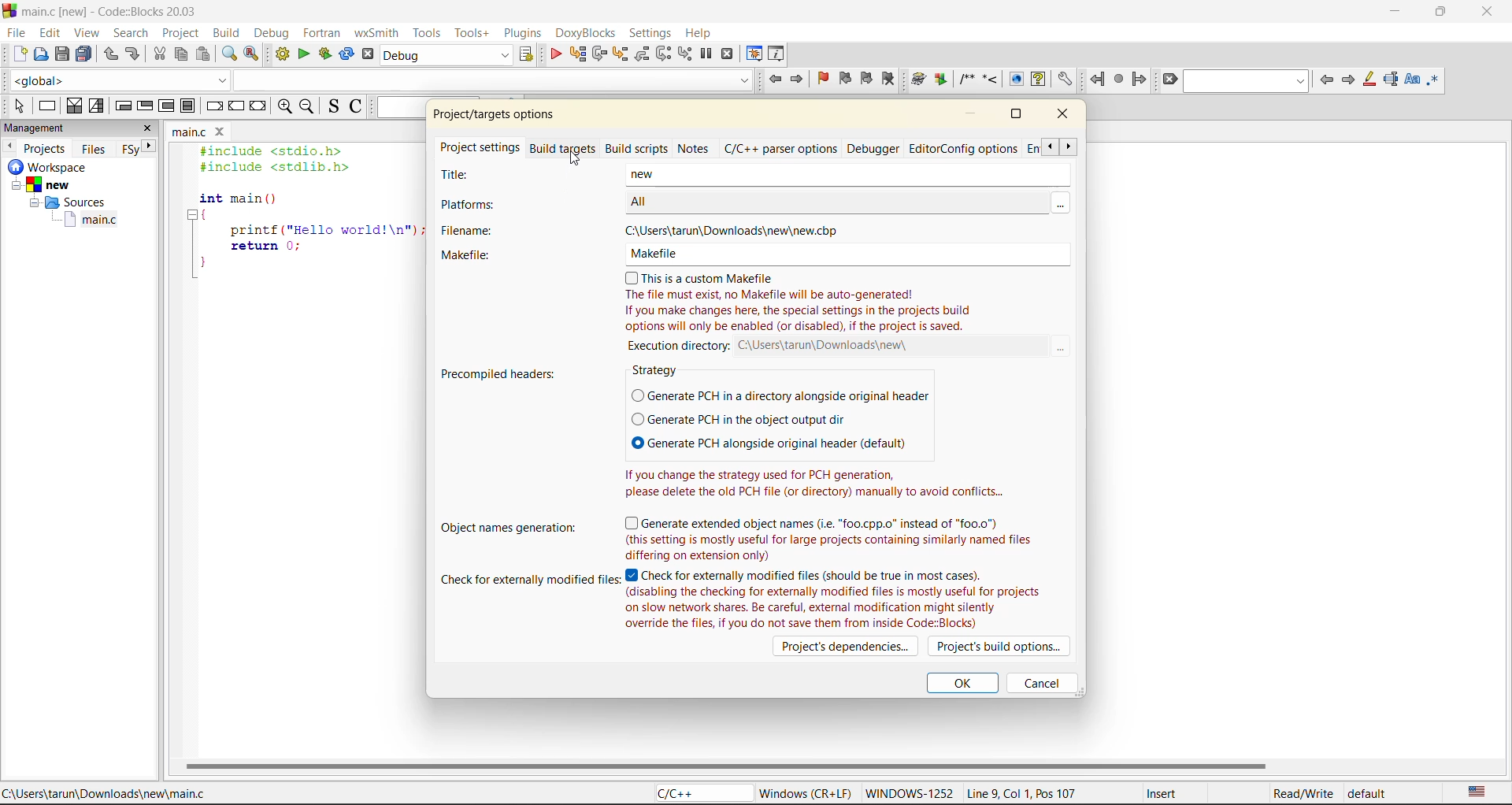  What do you see at coordinates (695, 793) in the screenshot?
I see `C/C++` at bounding box center [695, 793].